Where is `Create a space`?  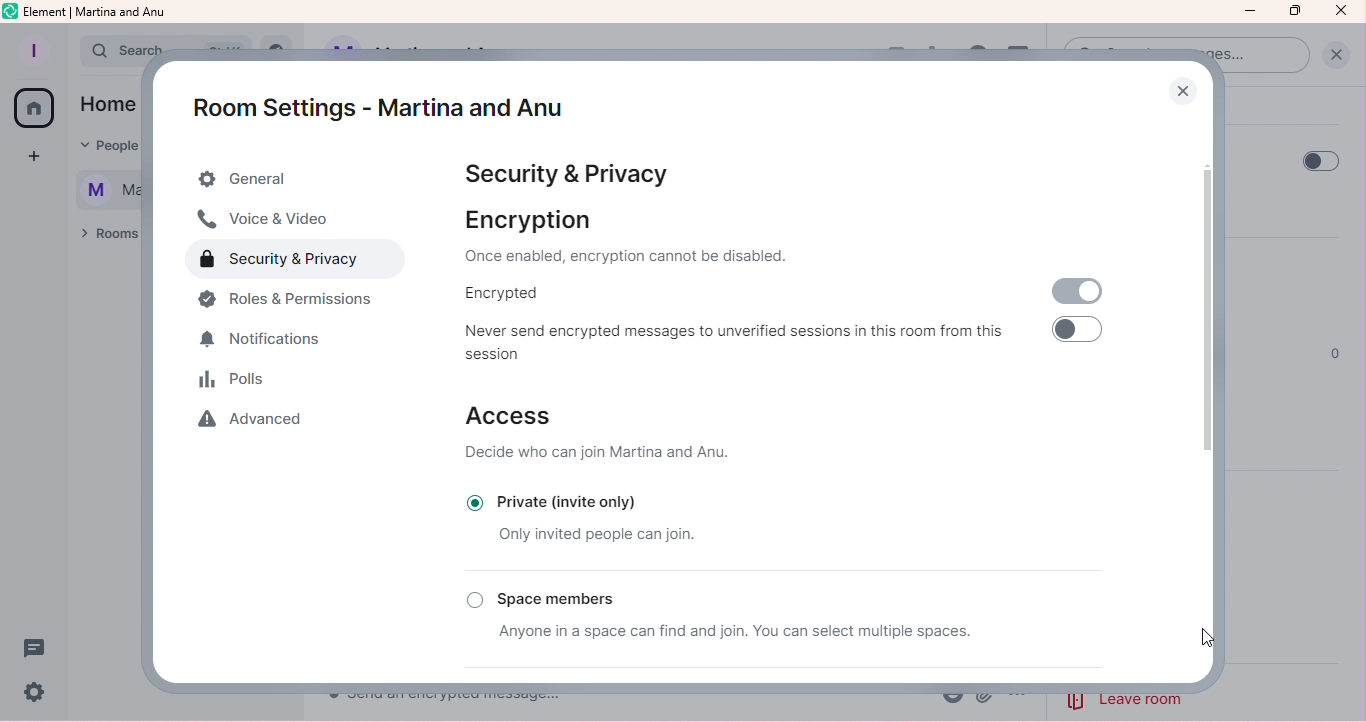
Create a space is located at coordinates (38, 160).